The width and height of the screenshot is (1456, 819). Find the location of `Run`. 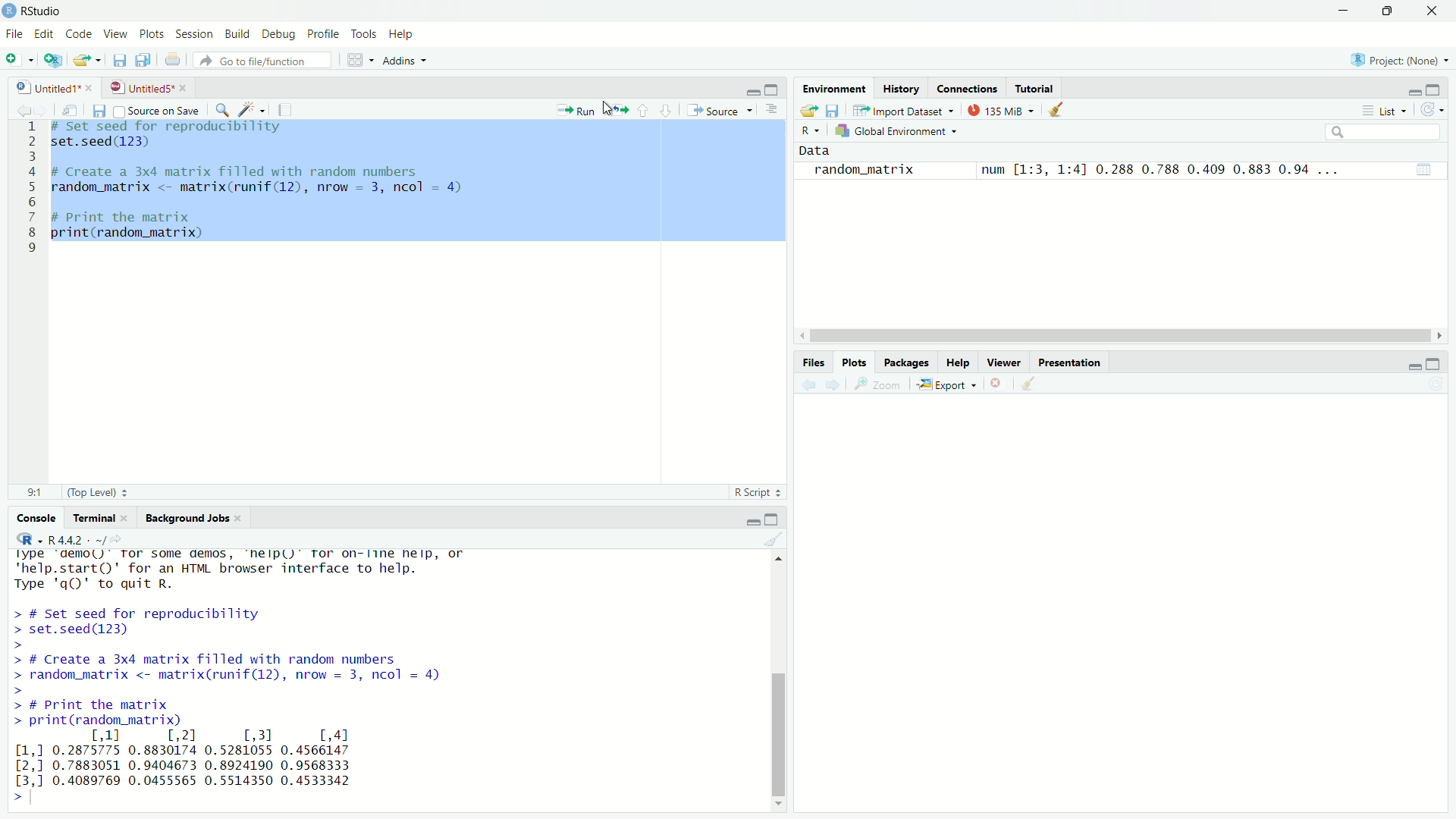

Run is located at coordinates (576, 111).